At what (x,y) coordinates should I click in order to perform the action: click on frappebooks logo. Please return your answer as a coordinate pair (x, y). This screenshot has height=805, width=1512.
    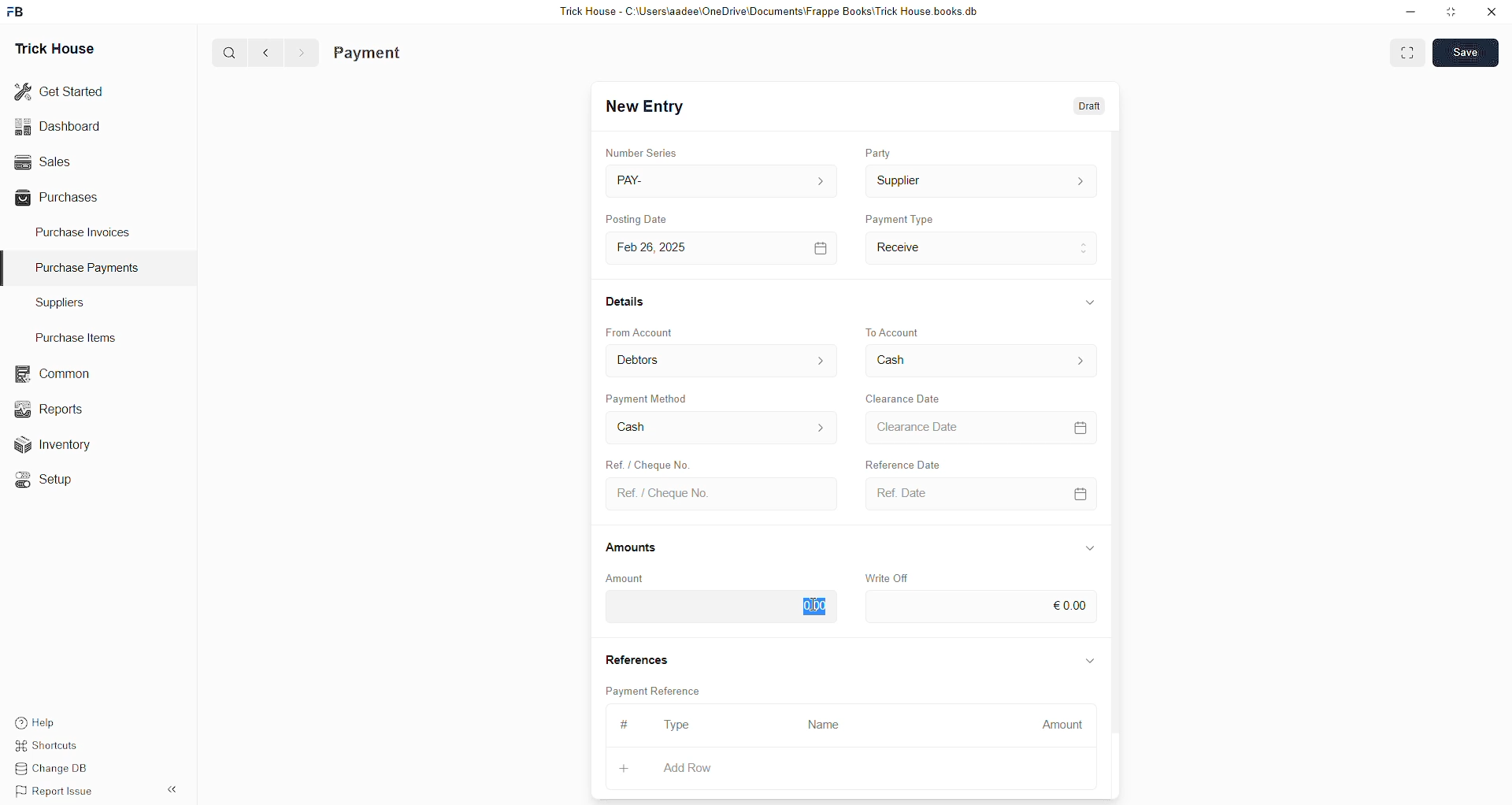
    Looking at the image, I should click on (17, 9).